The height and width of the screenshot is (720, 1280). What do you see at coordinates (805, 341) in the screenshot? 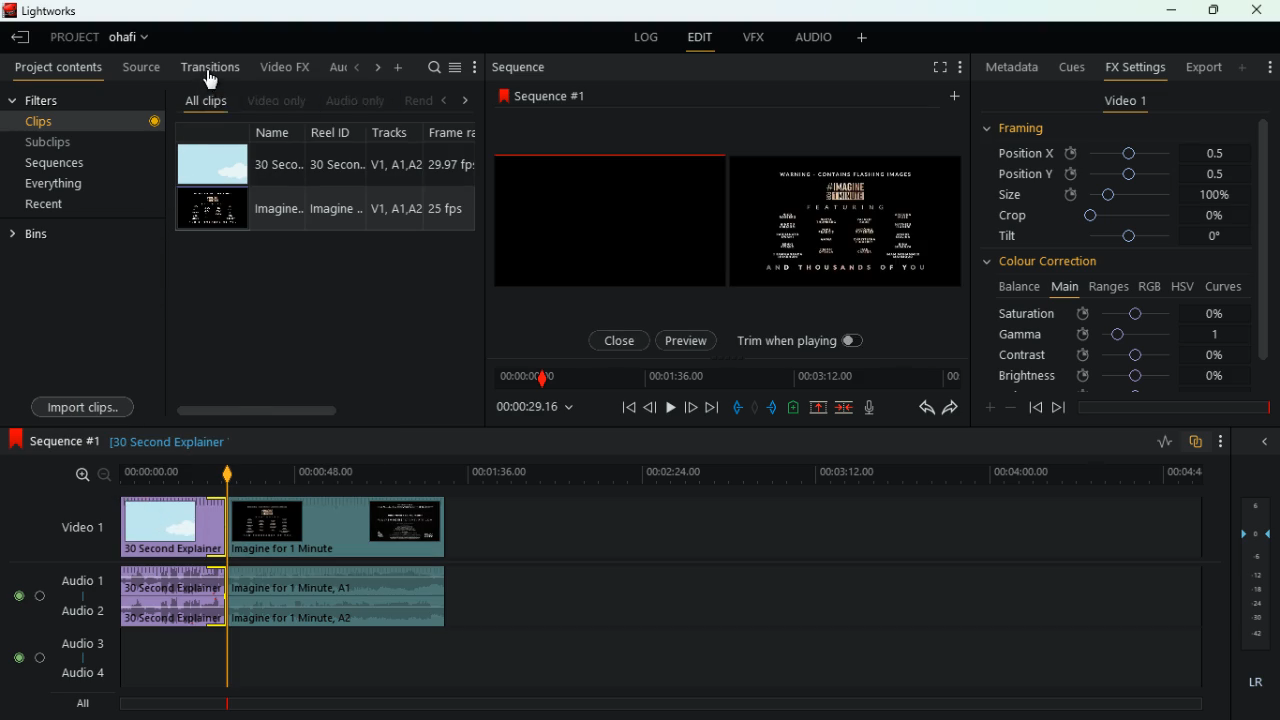
I see `trim when playing` at bounding box center [805, 341].